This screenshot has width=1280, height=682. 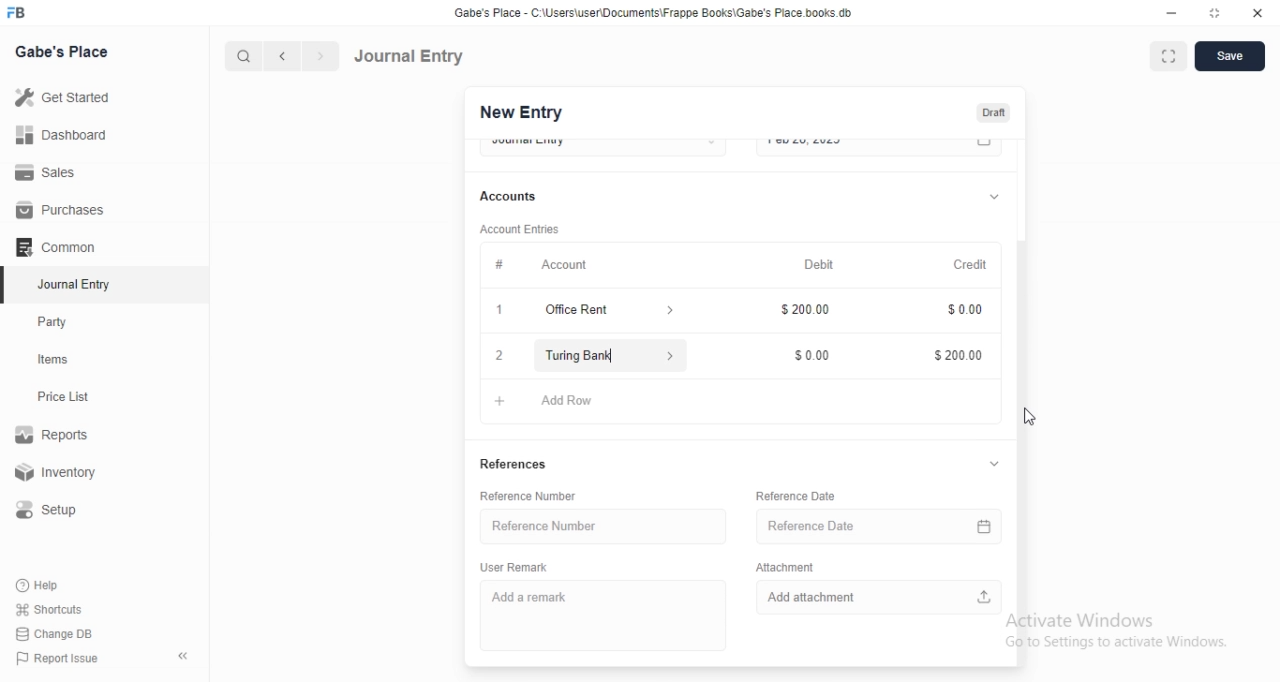 What do you see at coordinates (59, 135) in the screenshot?
I see `Dashboard` at bounding box center [59, 135].